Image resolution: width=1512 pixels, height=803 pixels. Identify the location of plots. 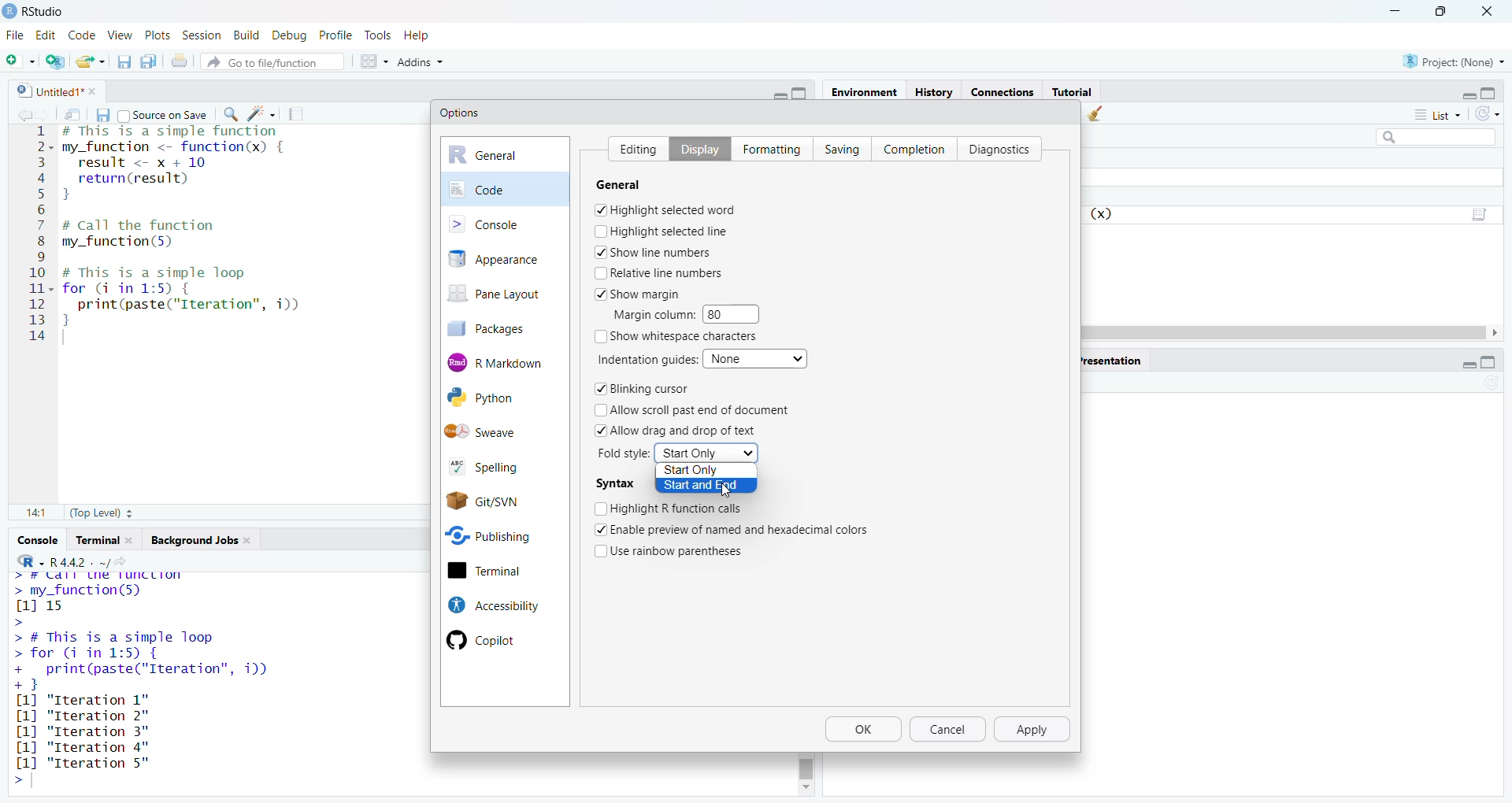
(156, 34).